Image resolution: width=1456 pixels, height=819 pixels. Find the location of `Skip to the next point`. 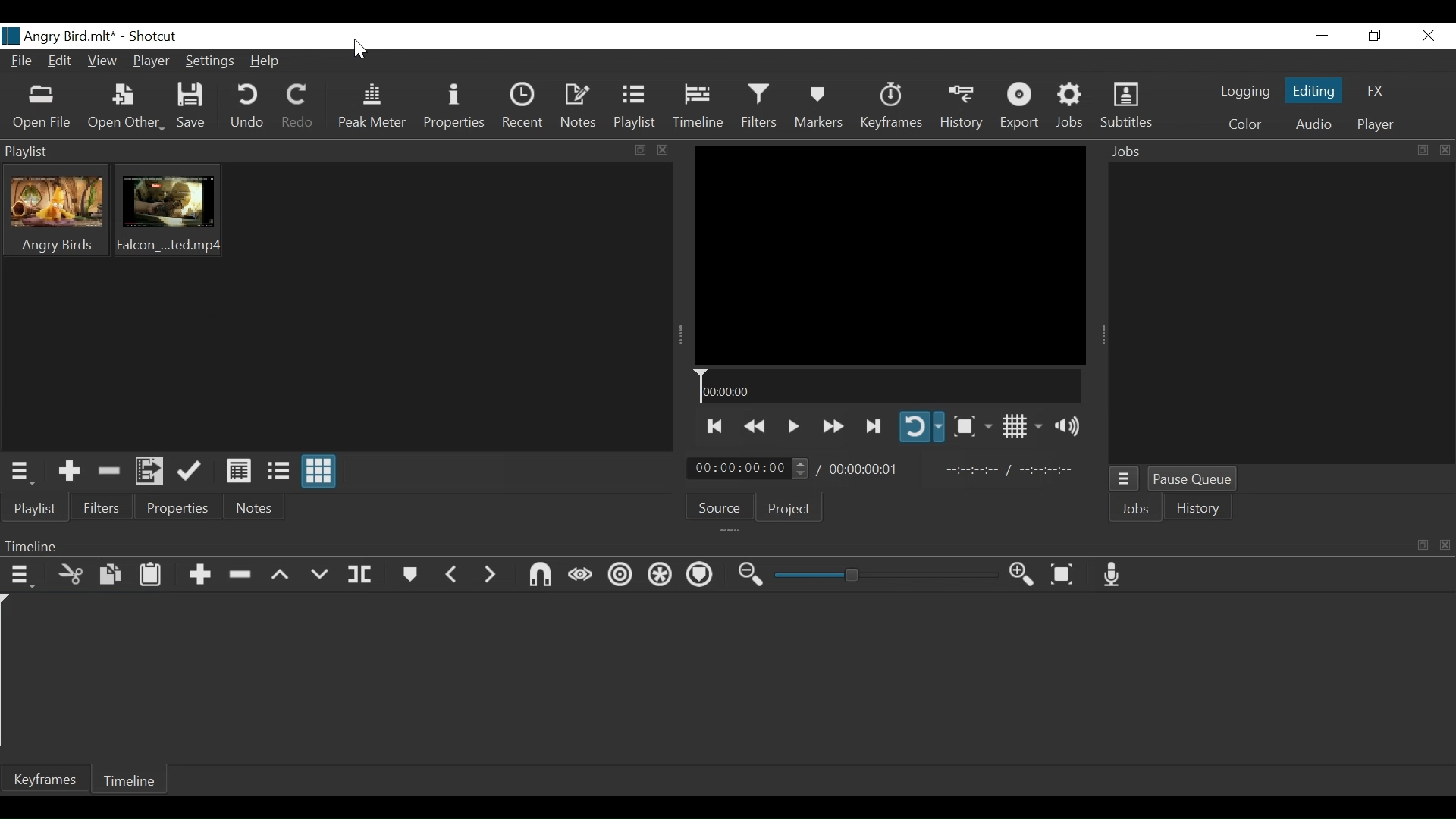

Skip to the next point is located at coordinates (873, 428).